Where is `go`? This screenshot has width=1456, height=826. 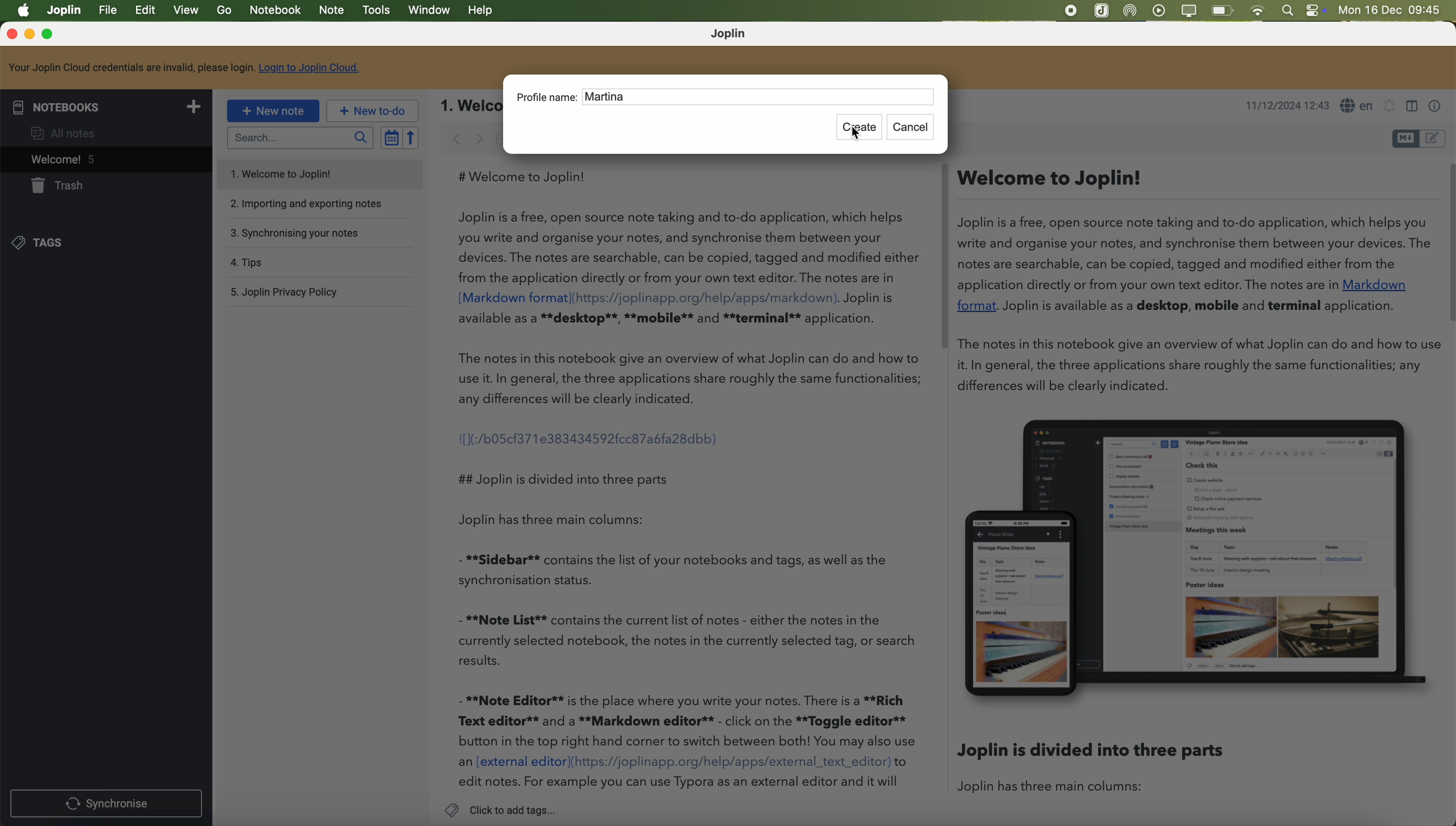 go is located at coordinates (224, 11).